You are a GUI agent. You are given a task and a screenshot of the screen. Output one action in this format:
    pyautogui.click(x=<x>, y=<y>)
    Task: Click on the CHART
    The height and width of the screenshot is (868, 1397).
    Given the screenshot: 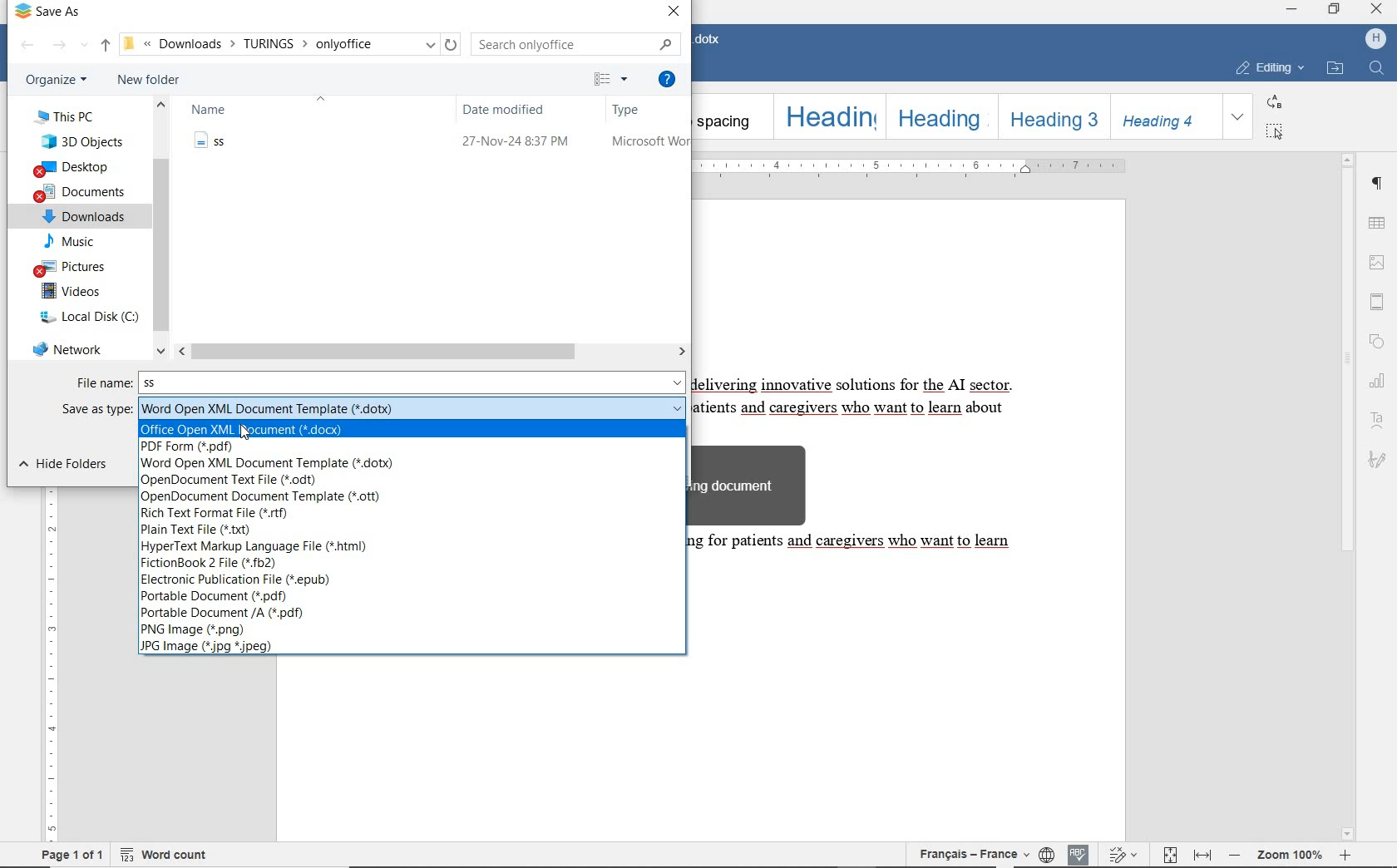 What is the action you would take?
    pyautogui.click(x=1380, y=383)
    